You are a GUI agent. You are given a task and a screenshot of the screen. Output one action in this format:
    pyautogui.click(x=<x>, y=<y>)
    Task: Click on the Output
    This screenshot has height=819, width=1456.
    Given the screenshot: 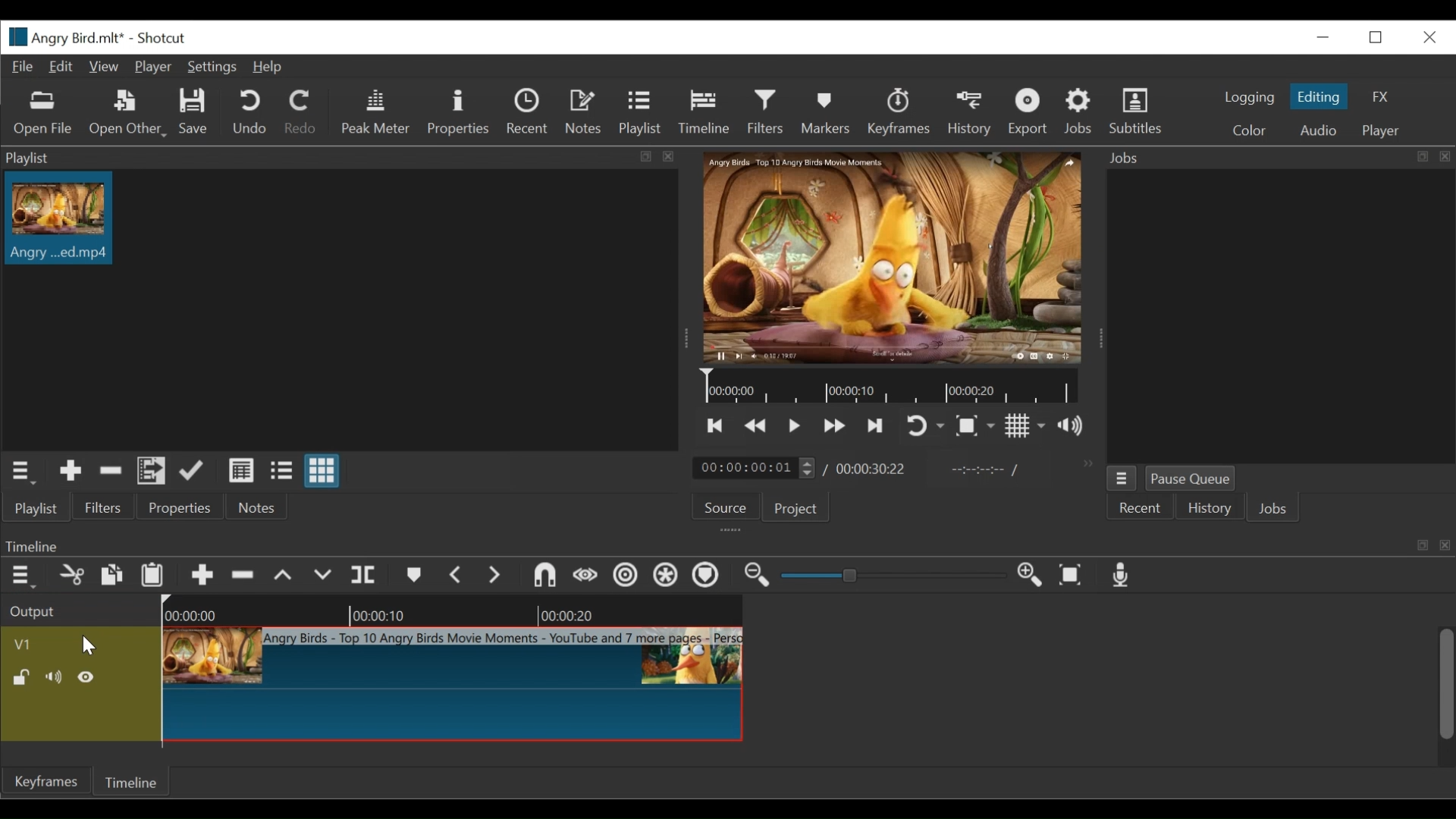 What is the action you would take?
    pyautogui.click(x=77, y=610)
    